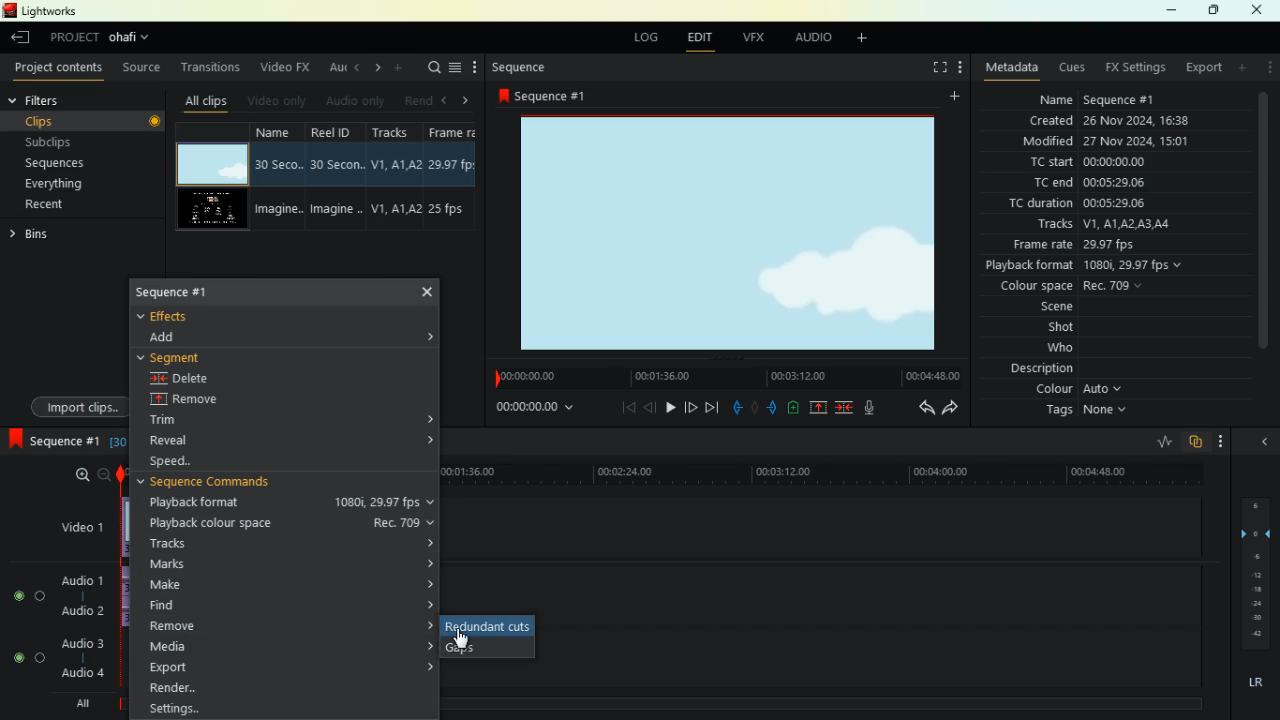 Image resolution: width=1280 pixels, height=720 pixels. What do you see at coordinates (1263, 225) in the screenshot?
I see `Scroll Bar` at bounding box center [1263, 225].